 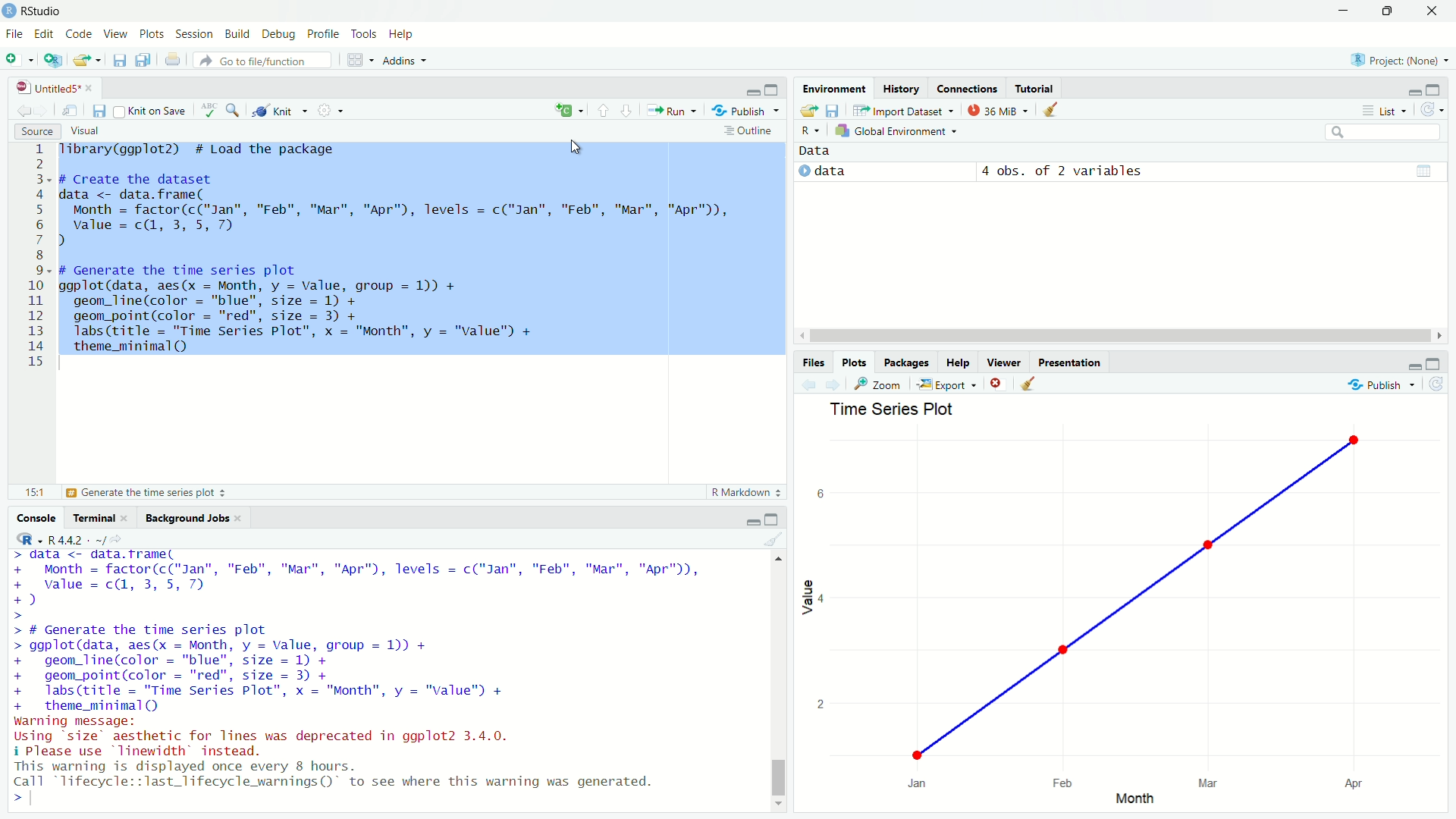 What do you see at coordinates (19, 59) in the screenshot?
I see `new file` at bounding box center [19, 59].